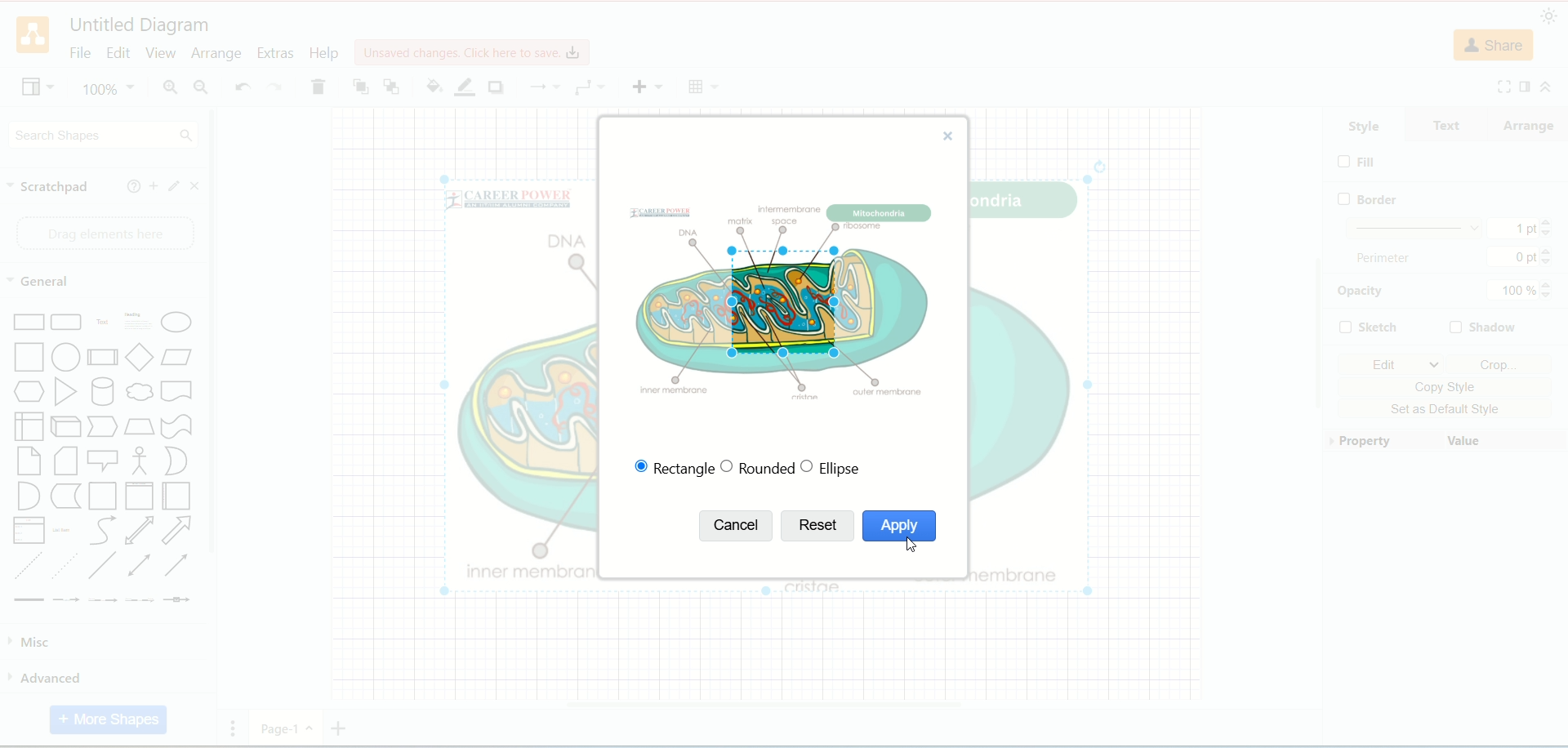  Describe the element at coordinates (1534, 122) in the screenshot. I see `arrange` at that location.